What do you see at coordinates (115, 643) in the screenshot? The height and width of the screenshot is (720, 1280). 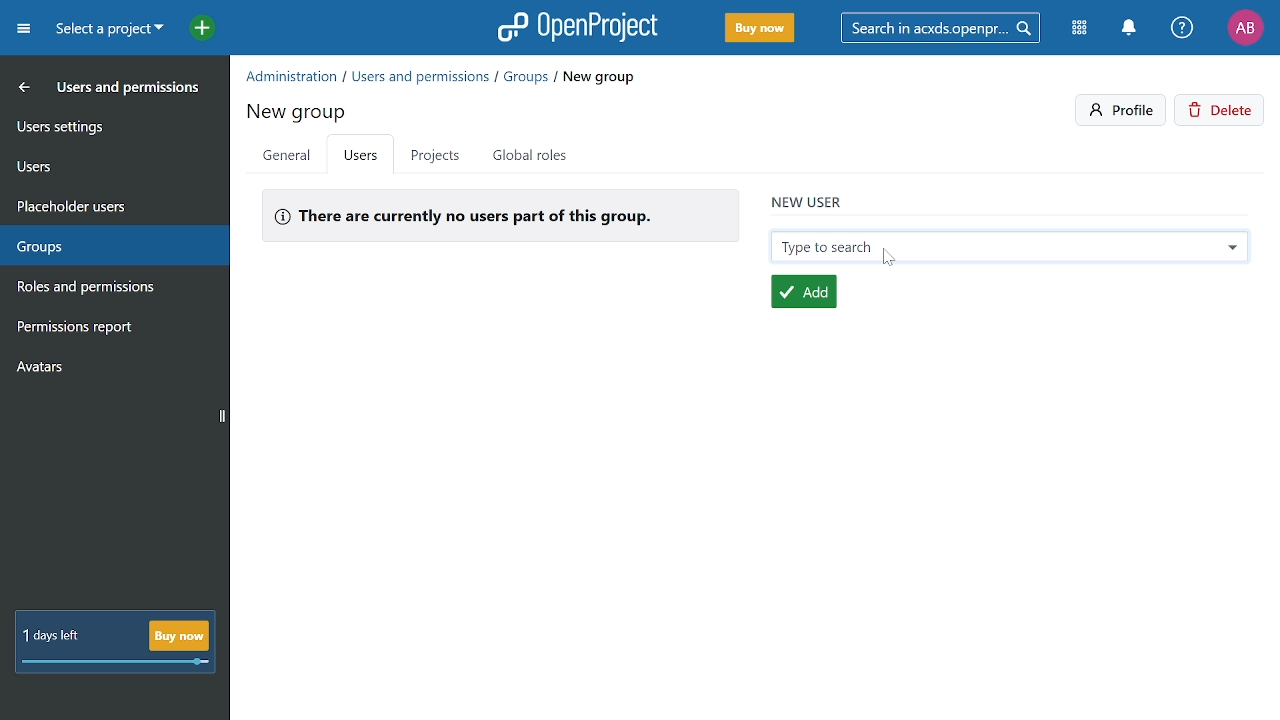 I see `! day left Buy now` at bounding box center [115, 643].